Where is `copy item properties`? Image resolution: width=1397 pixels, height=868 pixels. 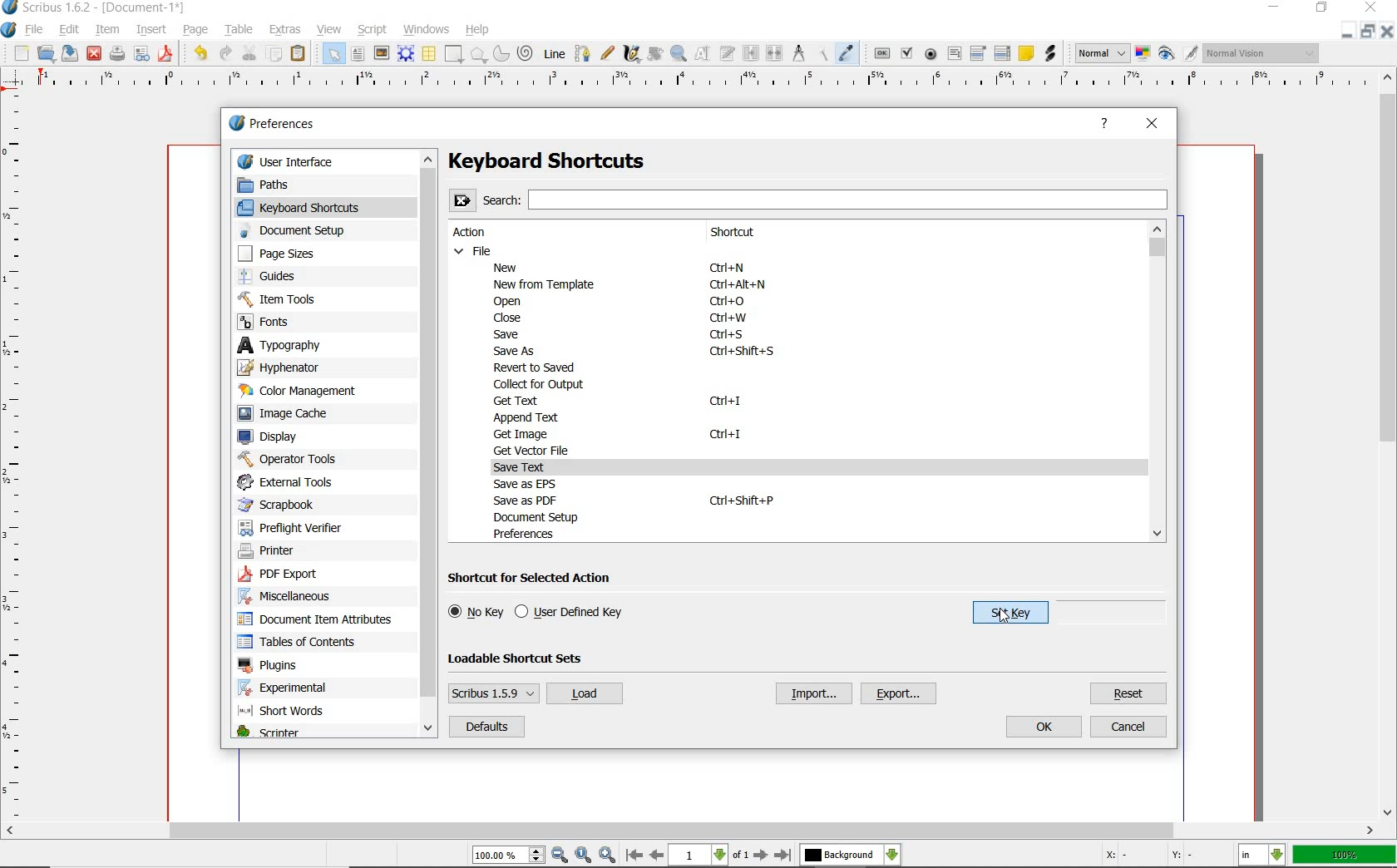
copy item properties is located at coordinates (824, 54).